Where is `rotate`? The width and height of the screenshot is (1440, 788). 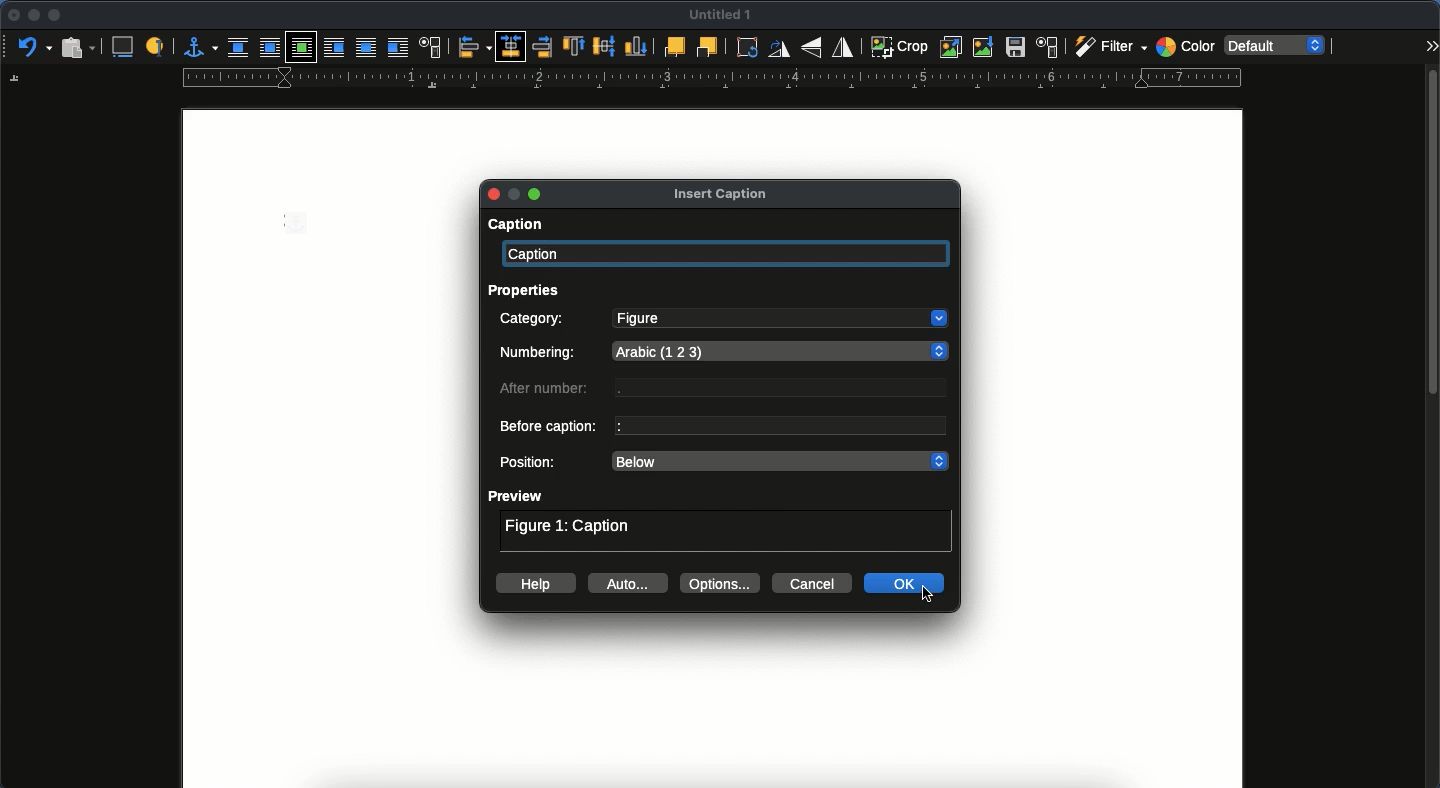
rotate is located at coordinates (751, 49).